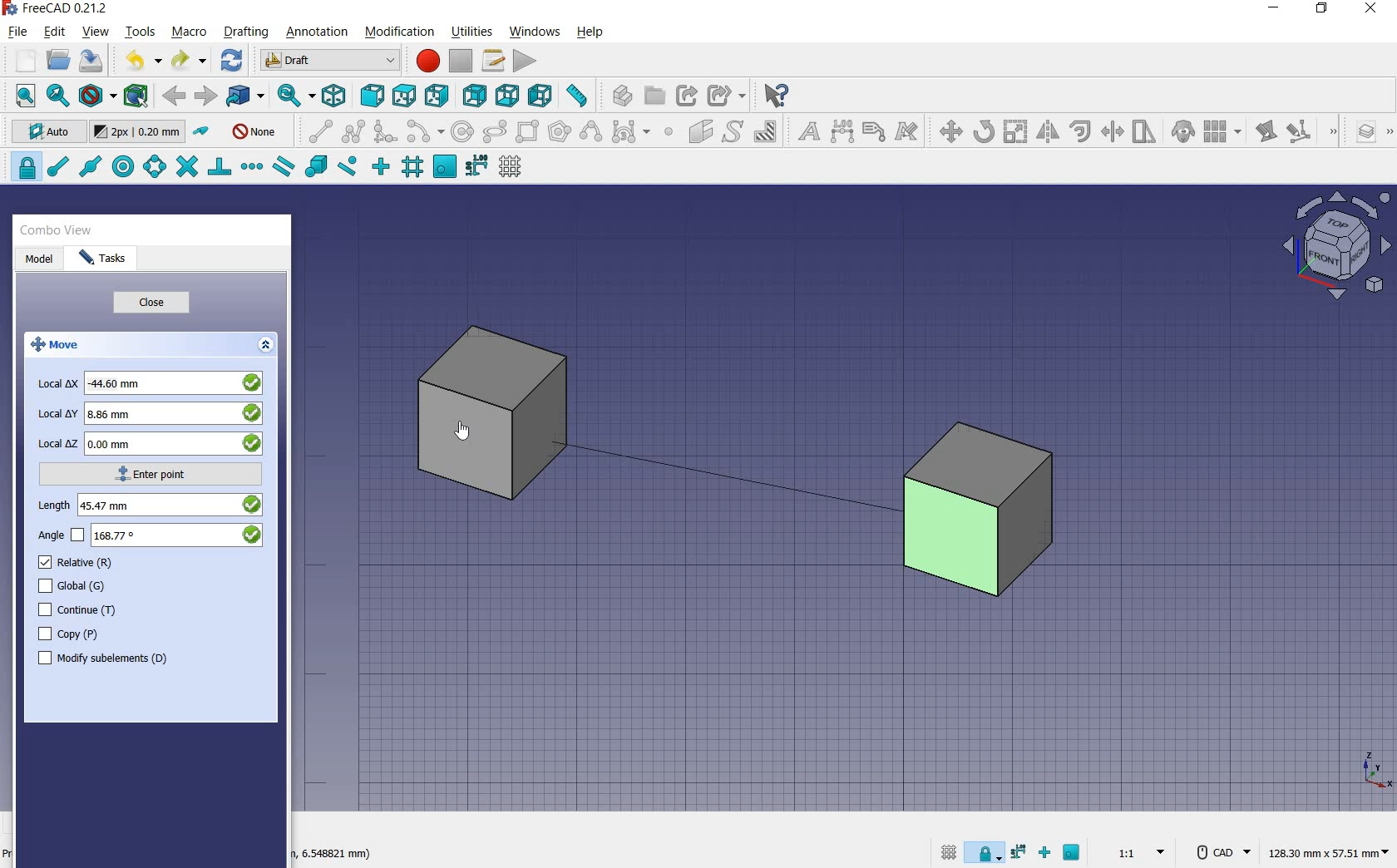 The width and height of the screenshot is (1397, 868). Describe the element at coordinates (137, 60) in the screenshot. I see `undo` at that location.